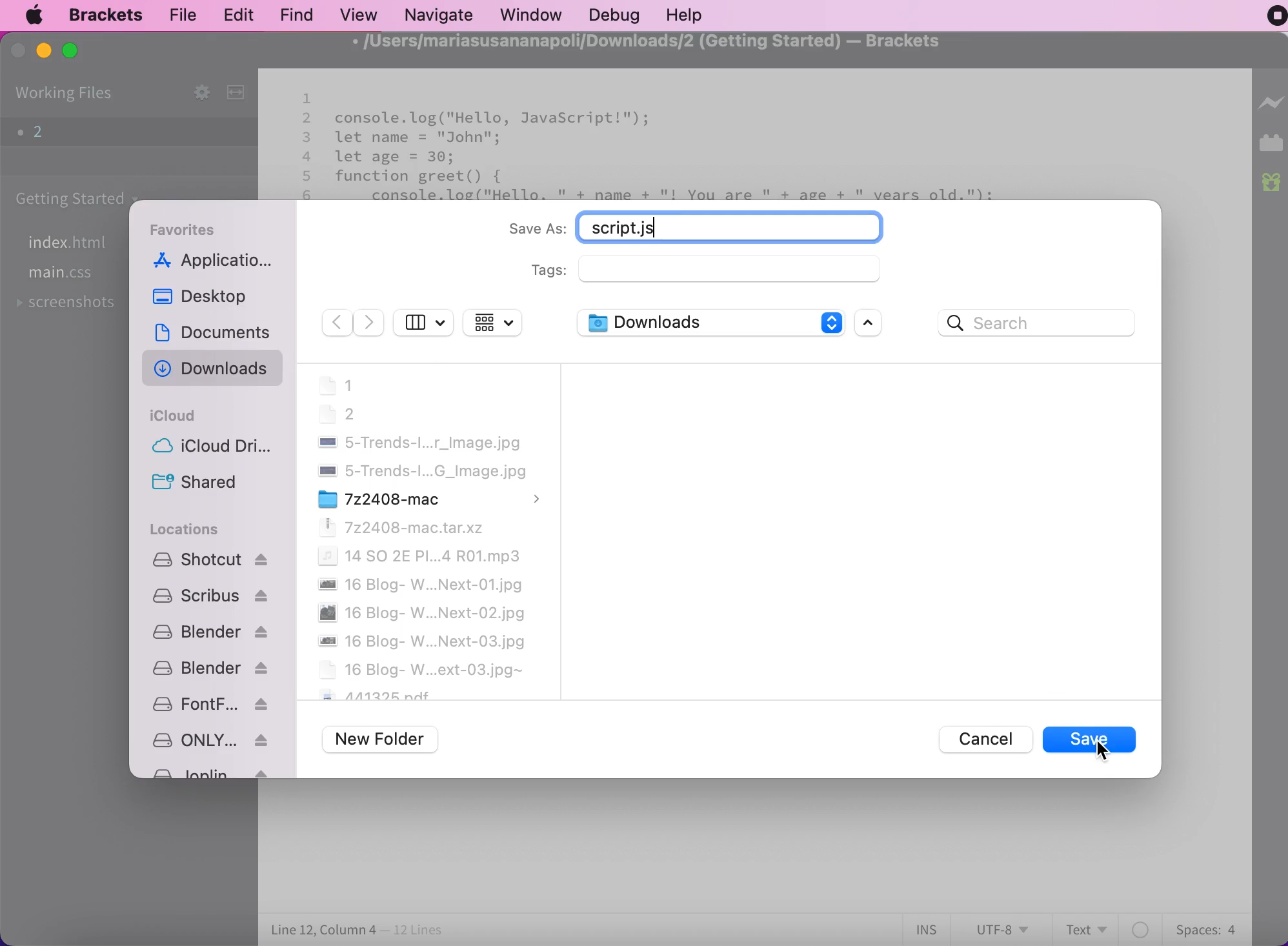  What do you see at coordinates (1090, 739) in the screenshot?
I see `save` at bounding box center [1090, 739].